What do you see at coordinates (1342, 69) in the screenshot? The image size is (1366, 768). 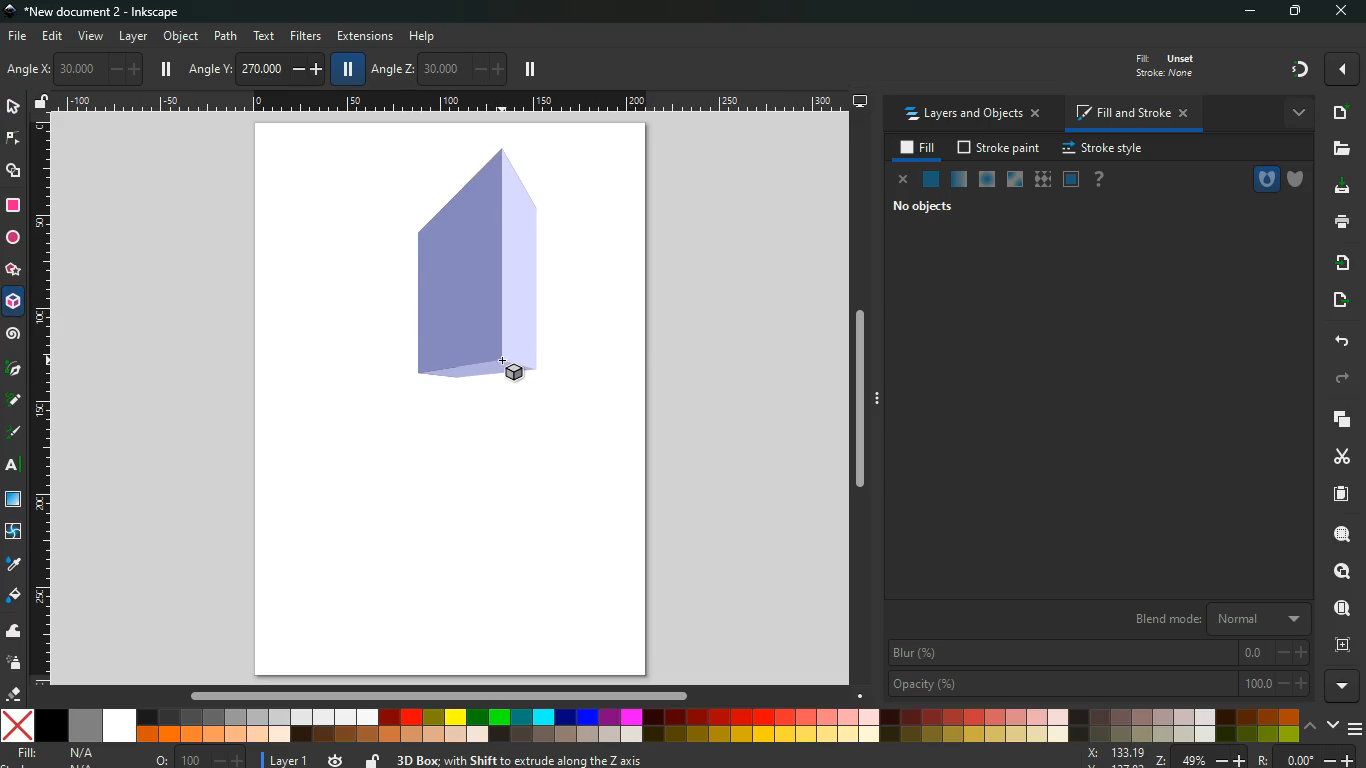 I see `more` at bounding box center [1342, 69].